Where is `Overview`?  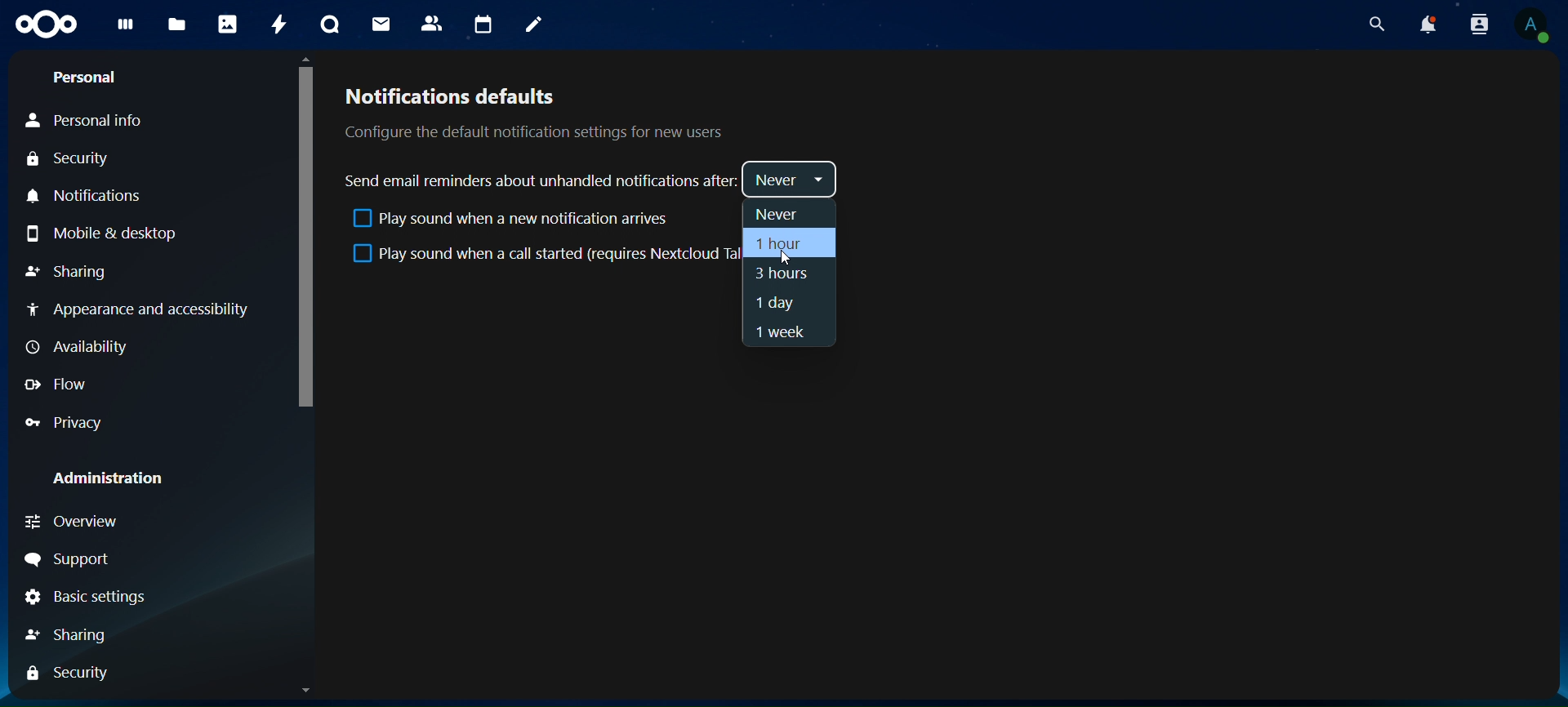
Overview is located at coordinates (70, 522).